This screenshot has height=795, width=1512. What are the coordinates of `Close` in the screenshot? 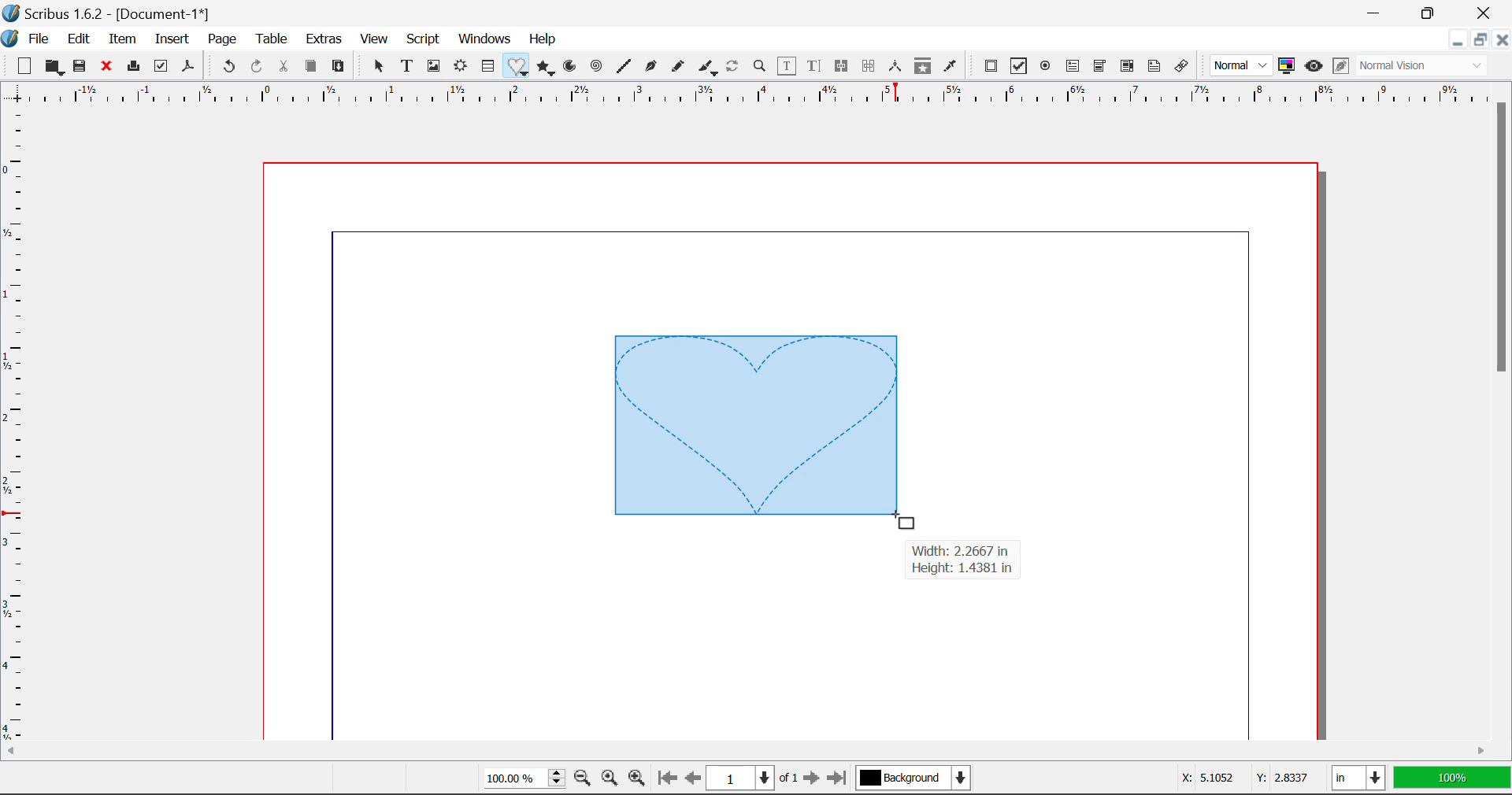 It's located at (1488, 13).